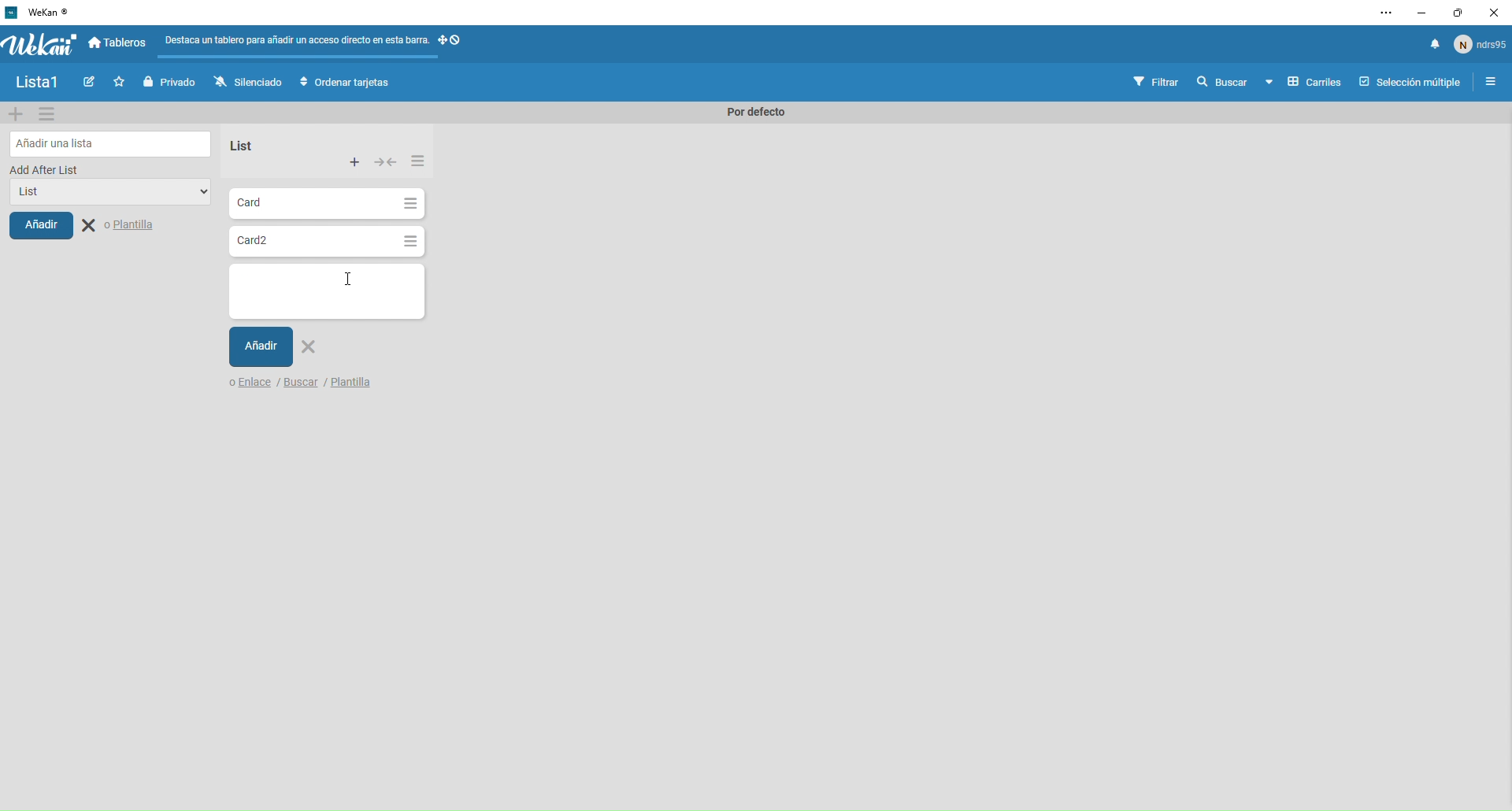 This screenshot has width=1512, height=811. Describe the element at coordinates (312, 204) in the screenshot. I see `Card` at that location.